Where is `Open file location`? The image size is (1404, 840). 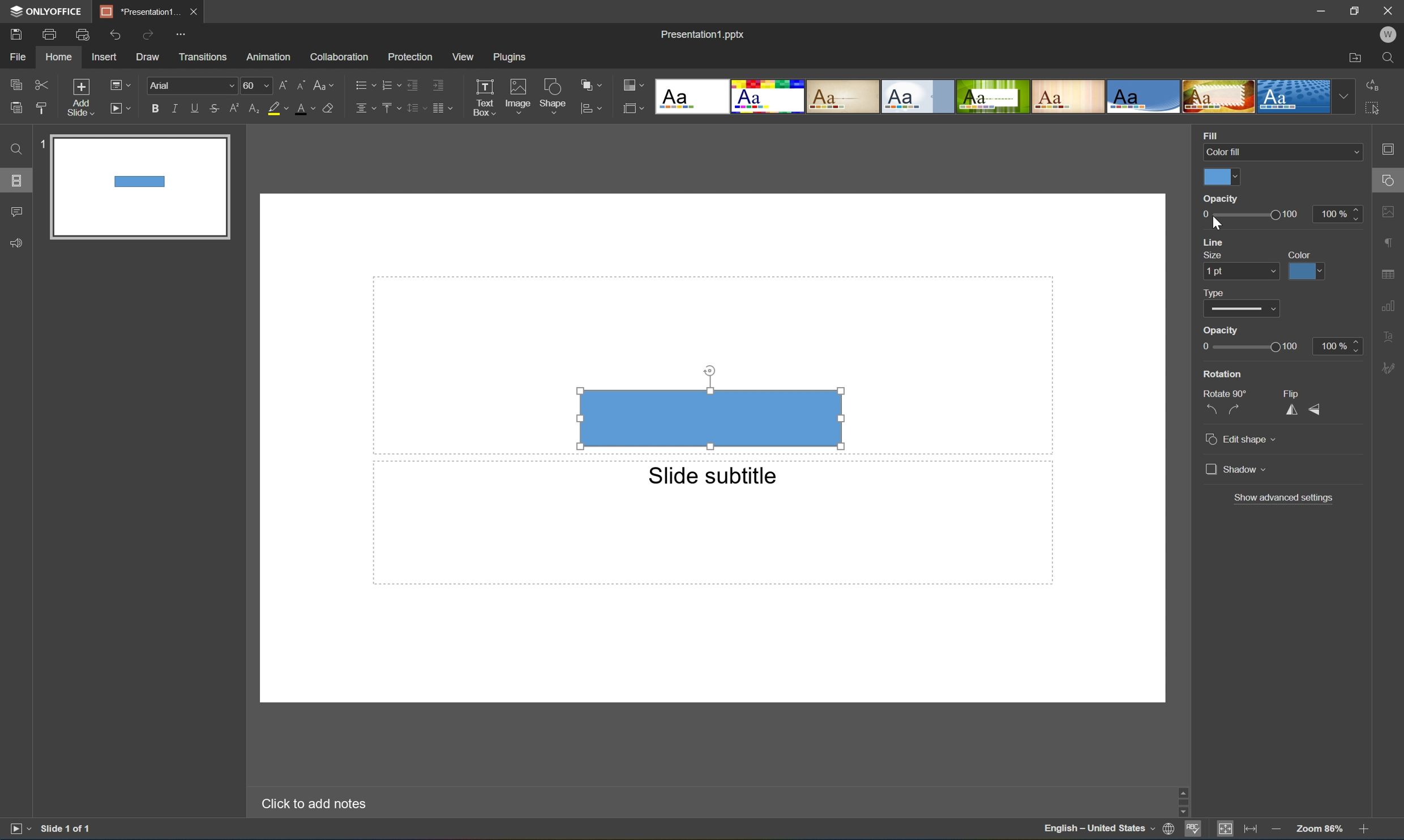
Open file location is located at coordinates (1354, 58).